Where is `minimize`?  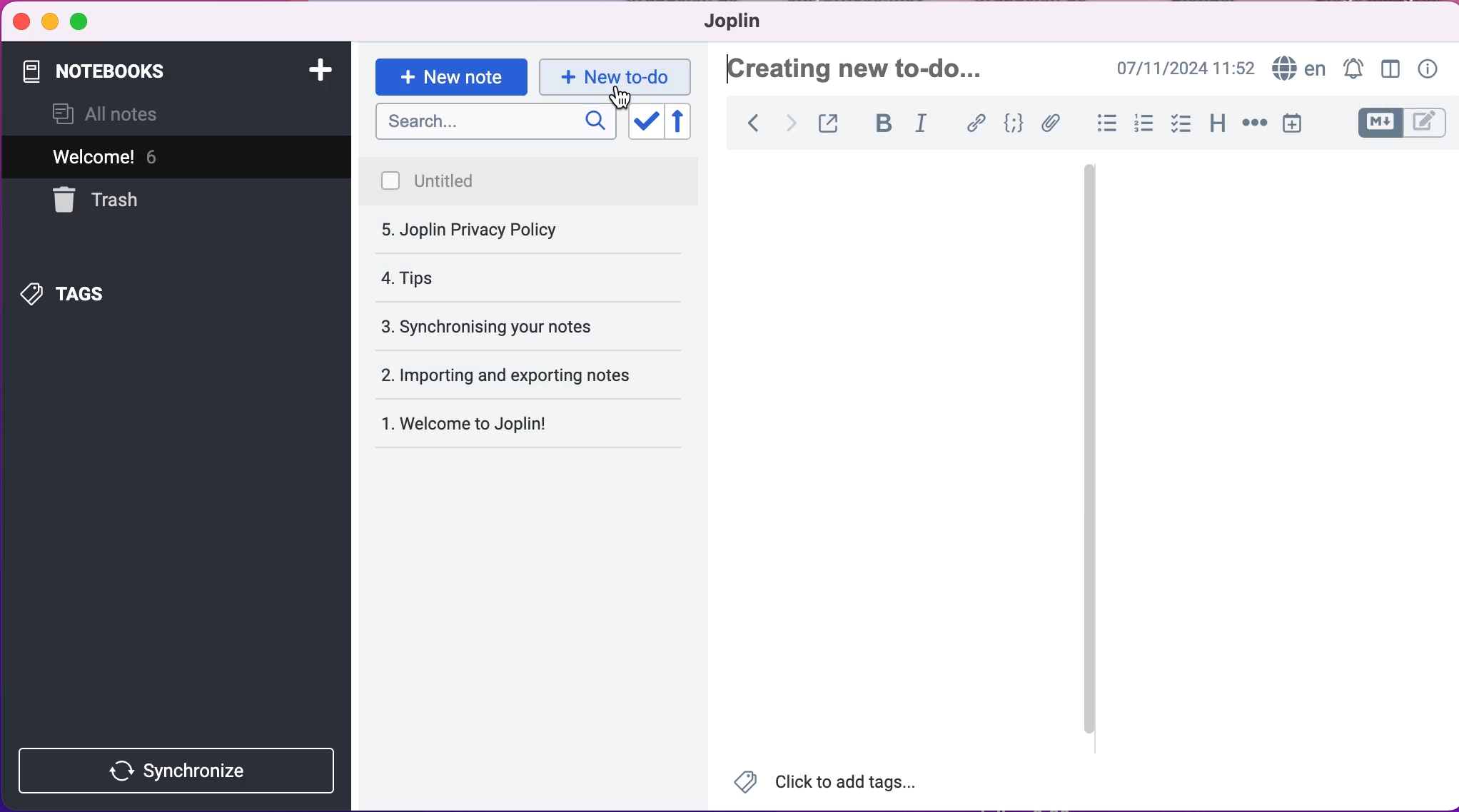 minimize is located at coordinates (49, 22).